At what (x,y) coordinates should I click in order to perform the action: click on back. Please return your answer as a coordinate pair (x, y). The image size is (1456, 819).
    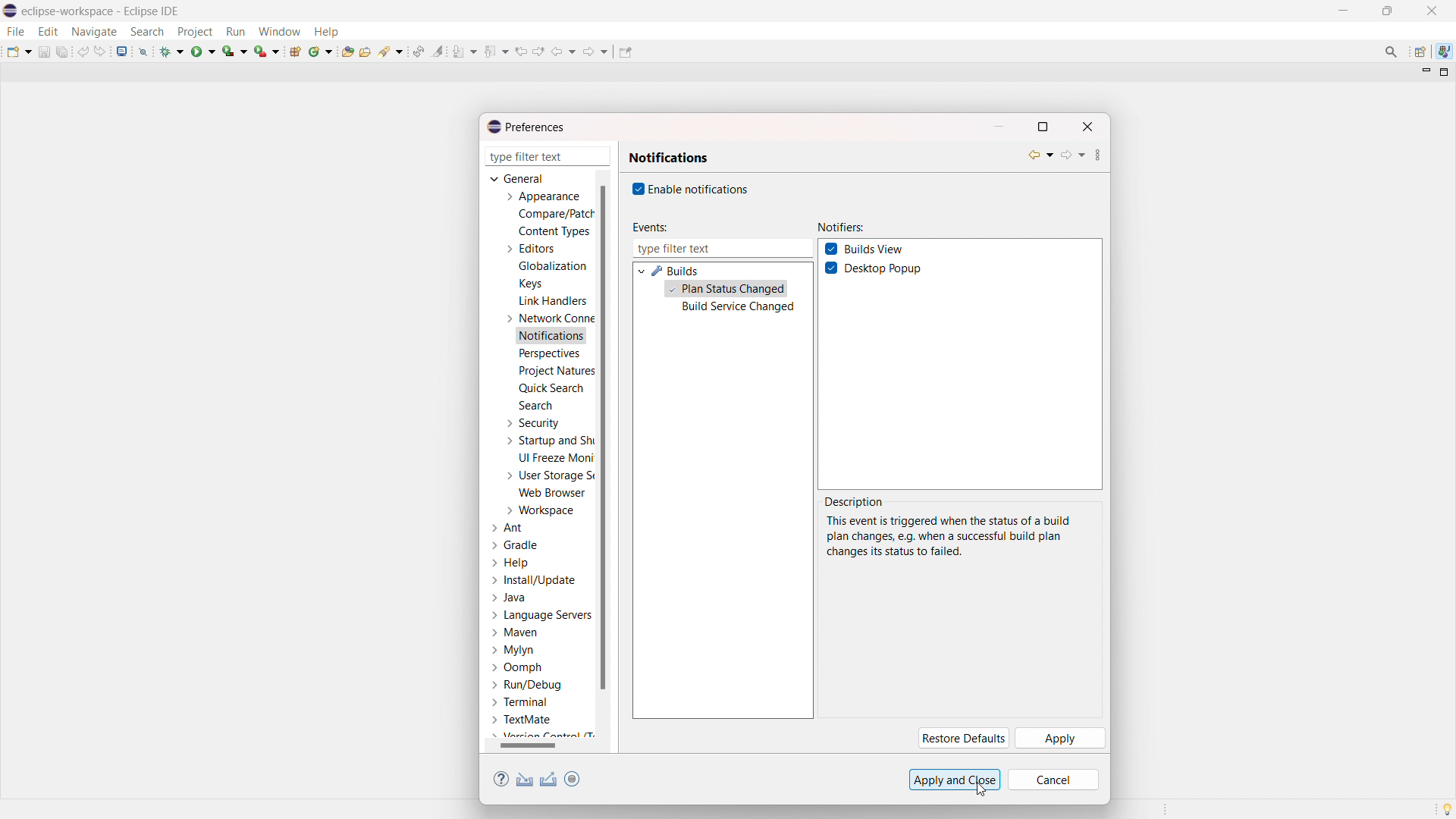
    Looking at the image, I should click on (1040, 155).